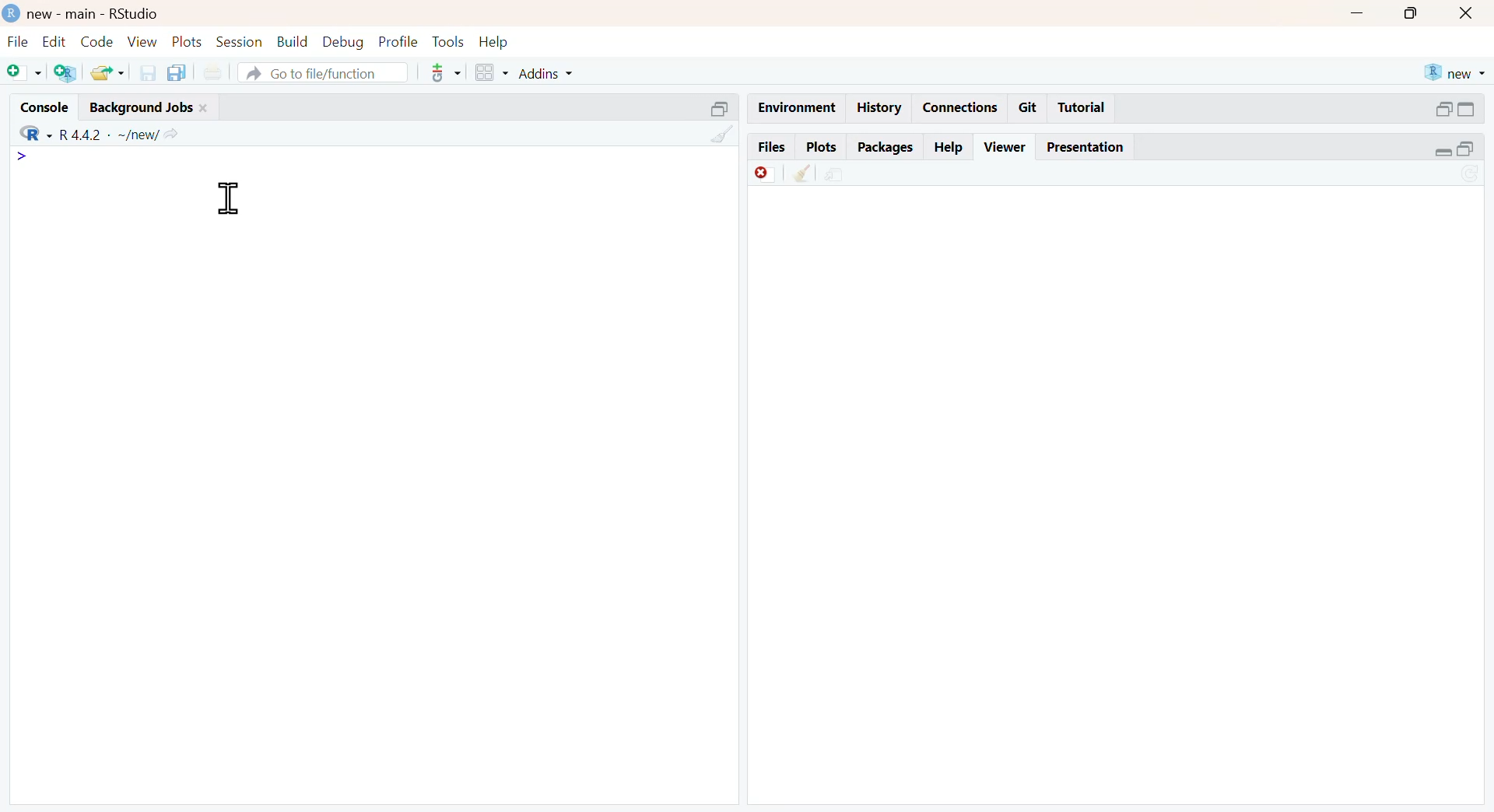  Describe the element at coordinates (177, 72) in the screenshot. I see `copy` at that location.